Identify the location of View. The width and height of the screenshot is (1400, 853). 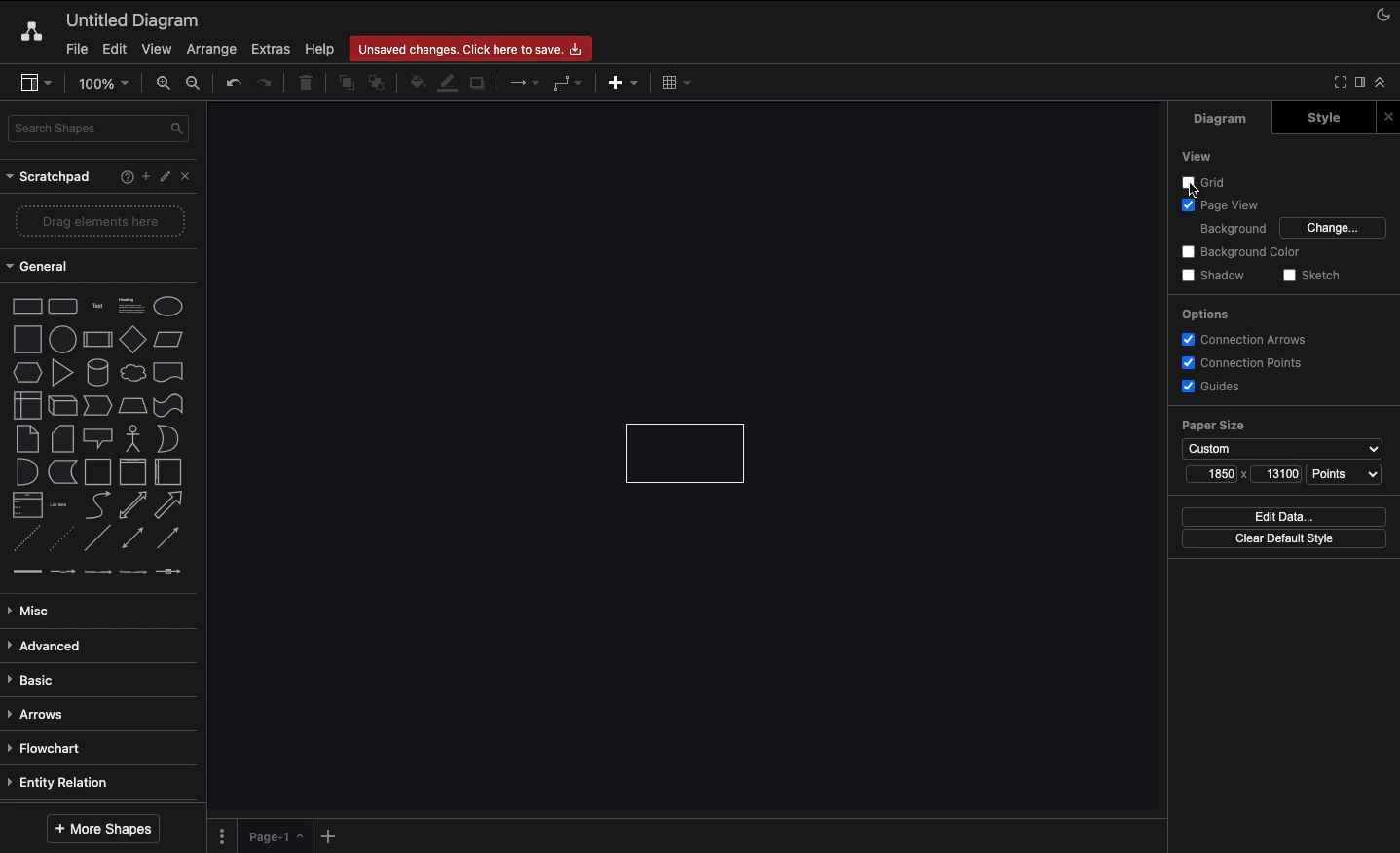
(160, 50).